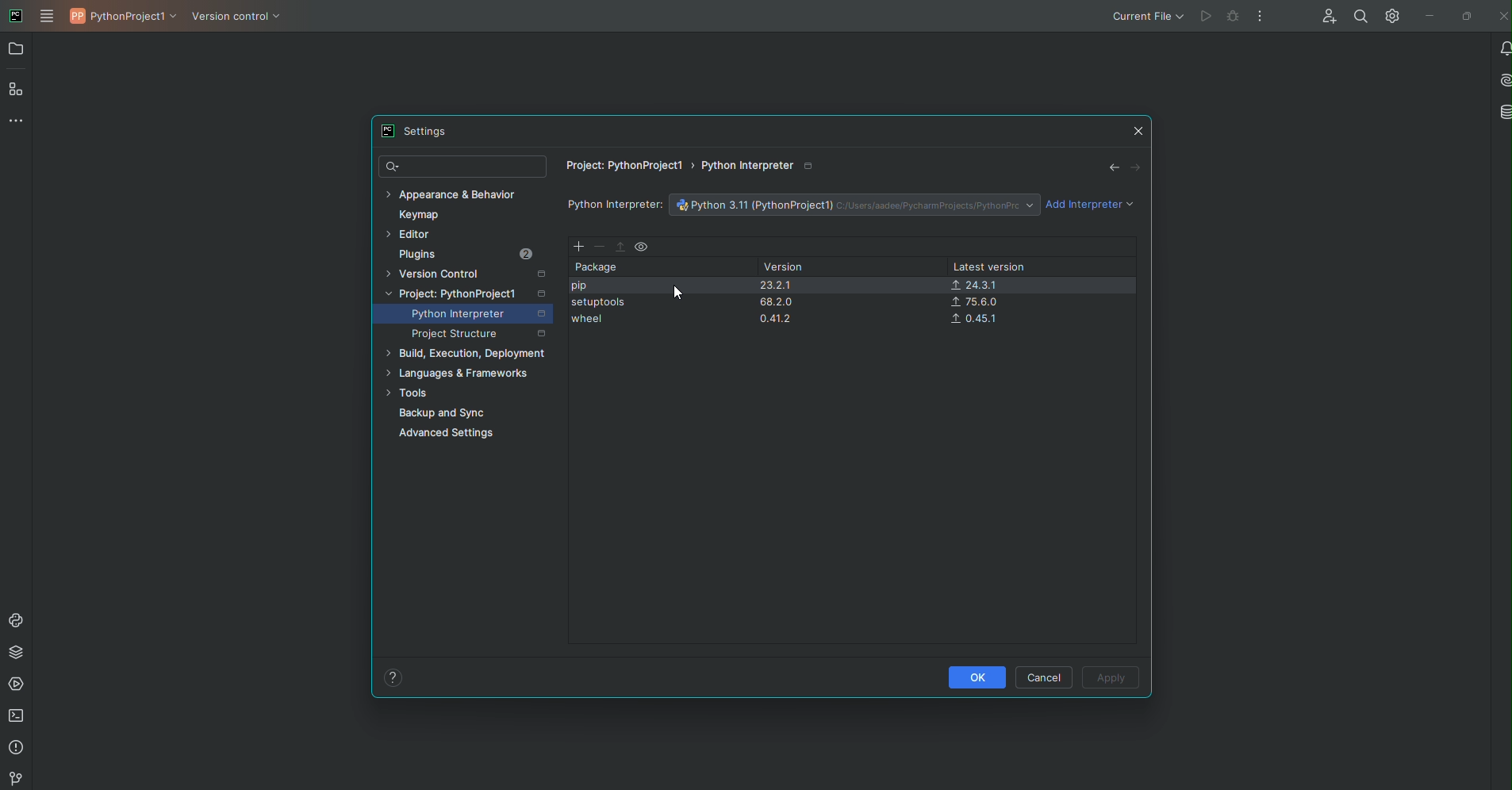 Image resolution: width=1512 pixels, height=790 pixels. What do you see at coordinates (978, 303) in the screenshot?
I see `Version names` at bounding box center [978, 303].